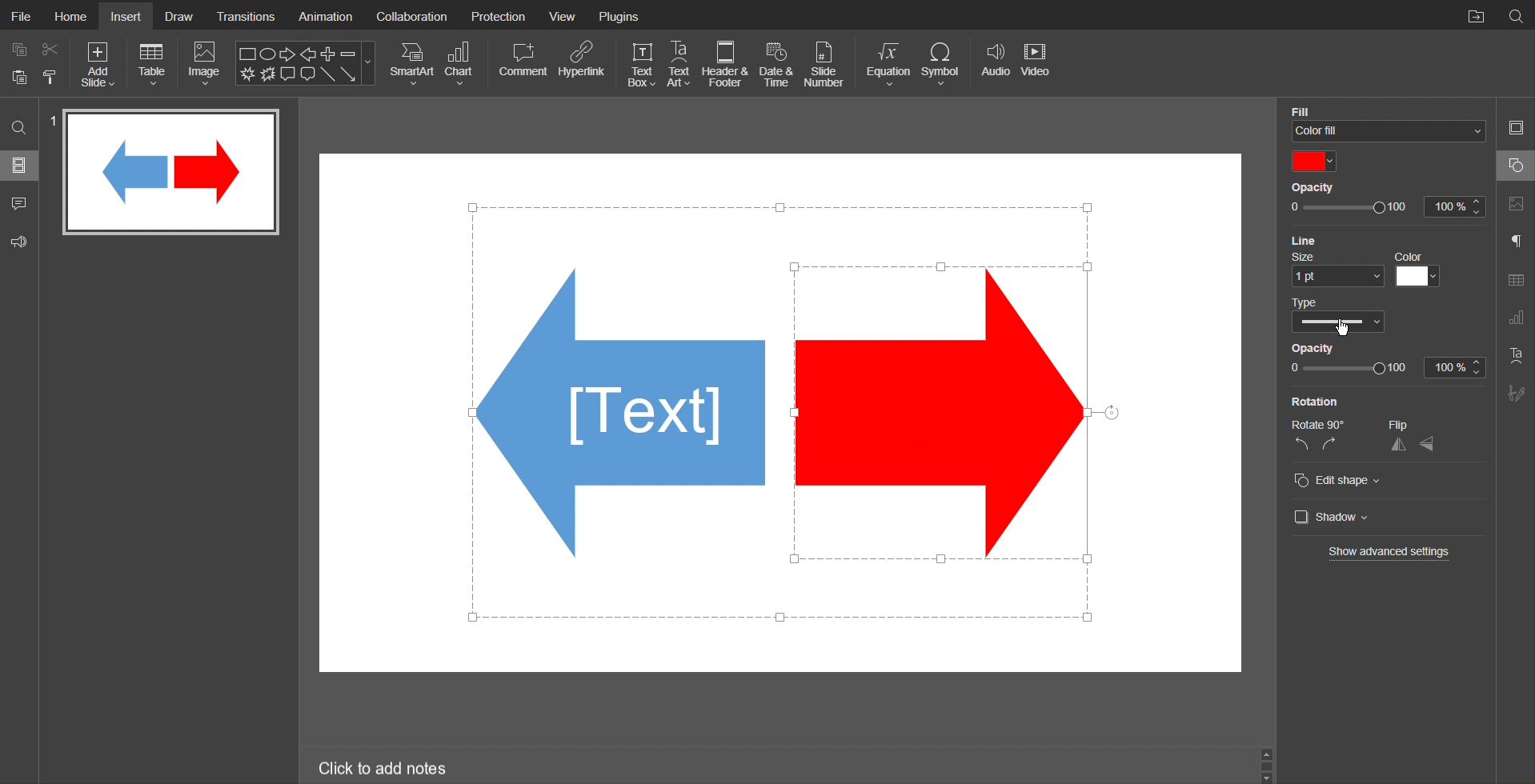  Describe the element at coordinates (100, 65) in the screenshot. I see `Add Slide` at that location.